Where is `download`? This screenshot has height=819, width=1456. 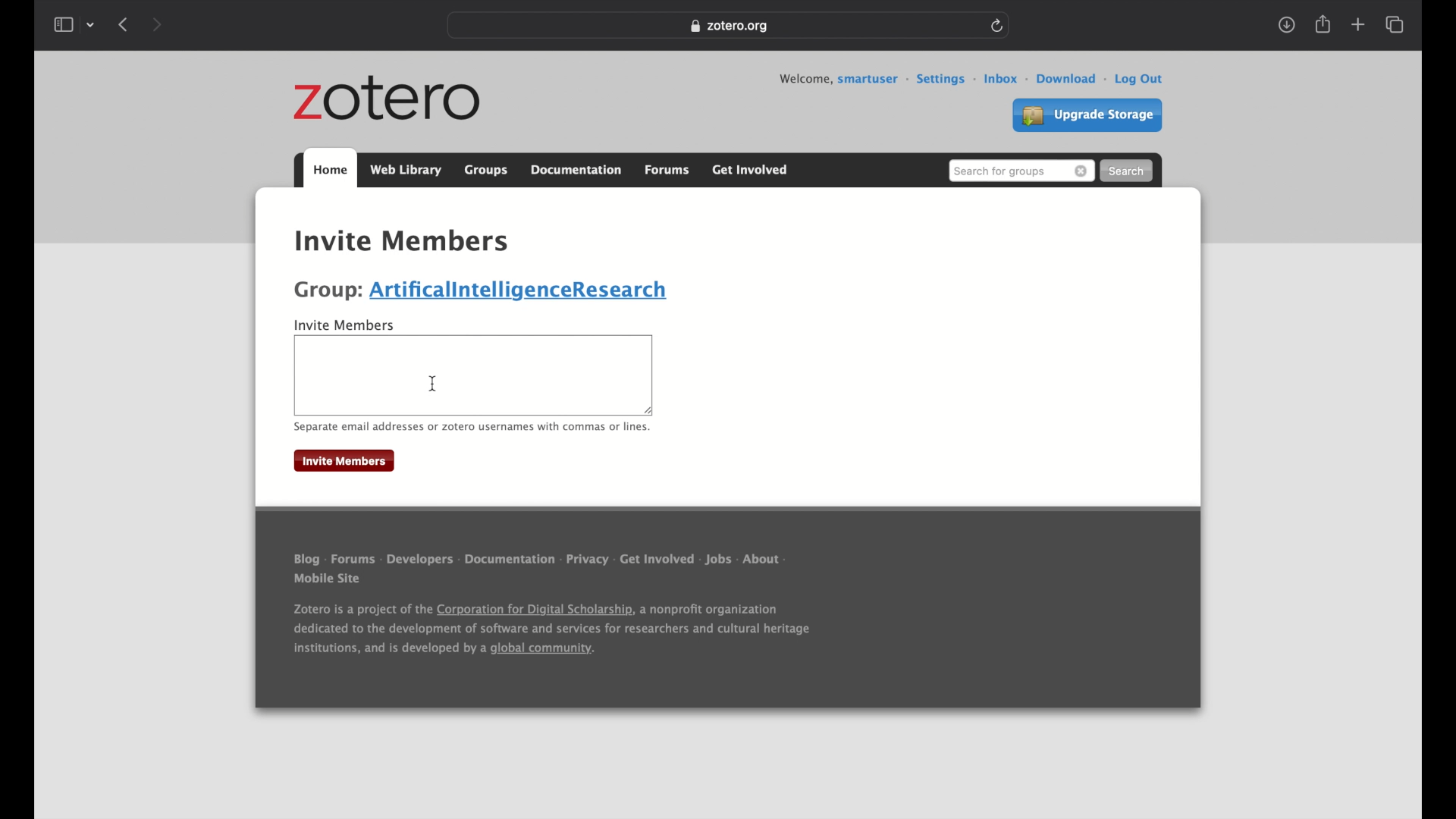 download is located at coordinates (1287, 26).